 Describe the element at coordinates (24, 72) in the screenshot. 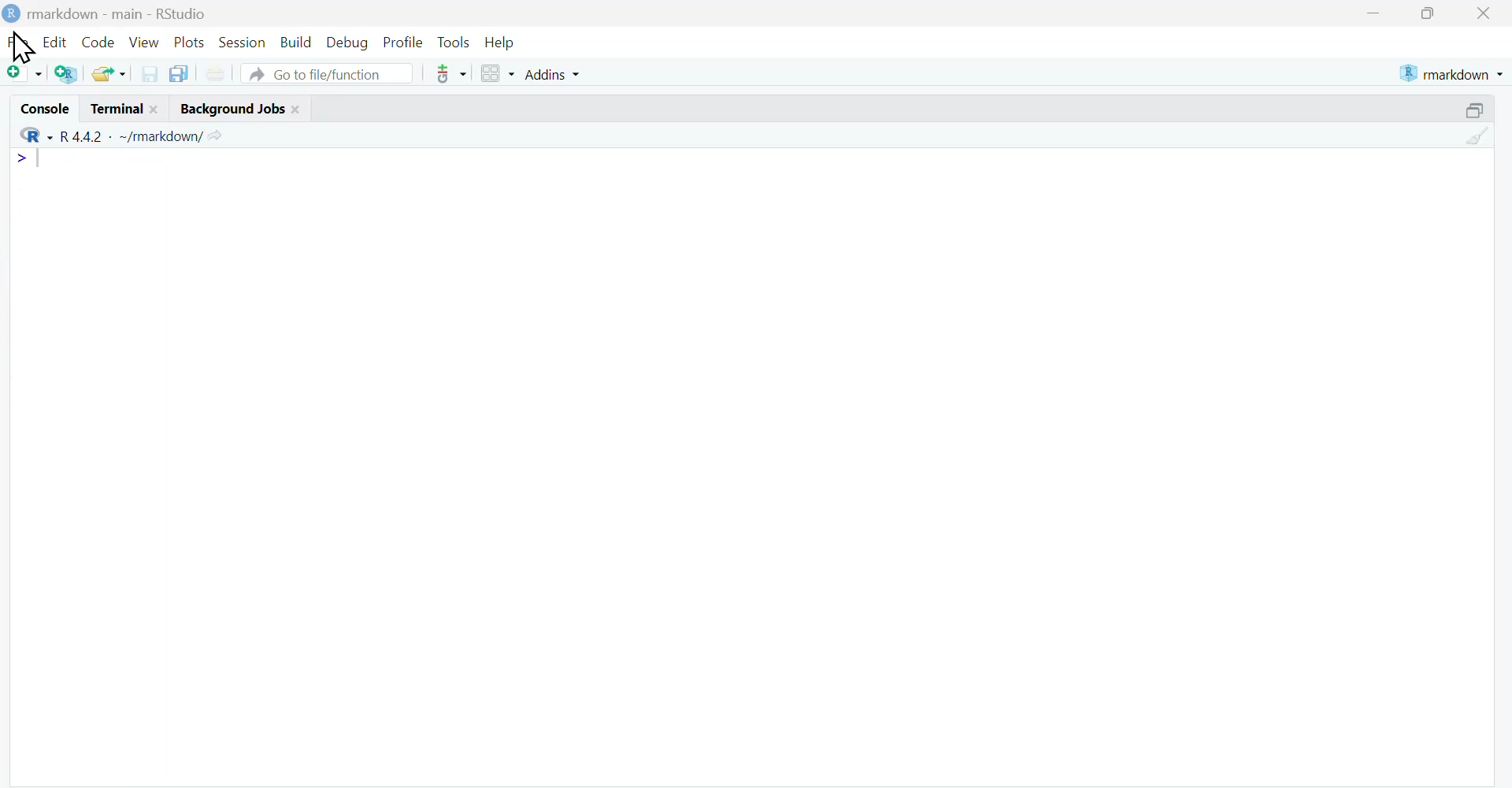

I see `New file` at that location.